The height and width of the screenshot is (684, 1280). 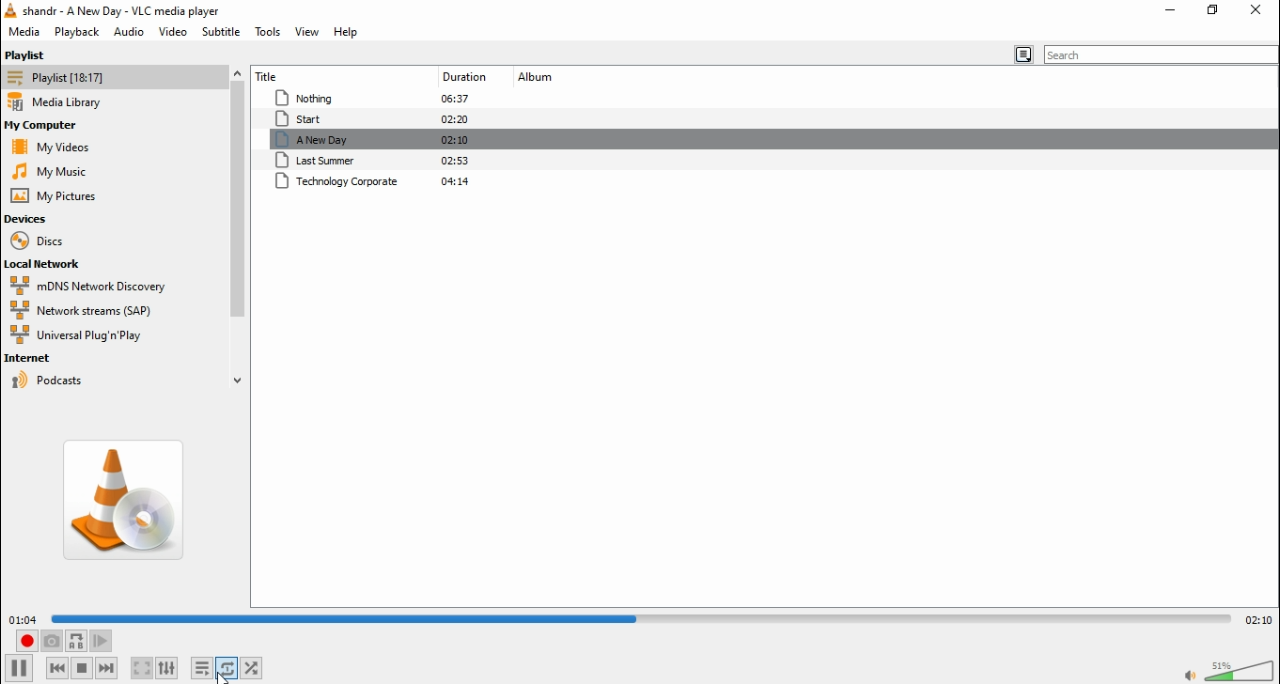 What do you see at coordinates (171, 666) in the screenshot?
I see `show extended settings` at bounding box center [171, 666].